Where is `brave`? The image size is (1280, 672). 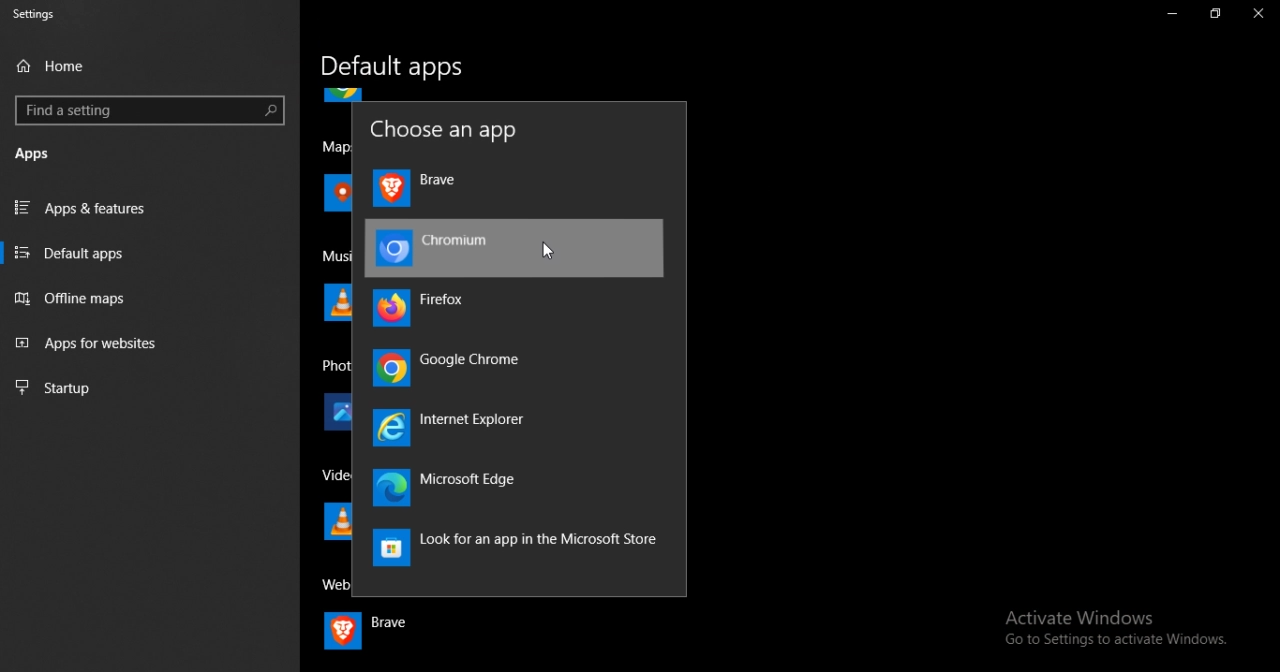 brave is located at coordinates (420, 188).